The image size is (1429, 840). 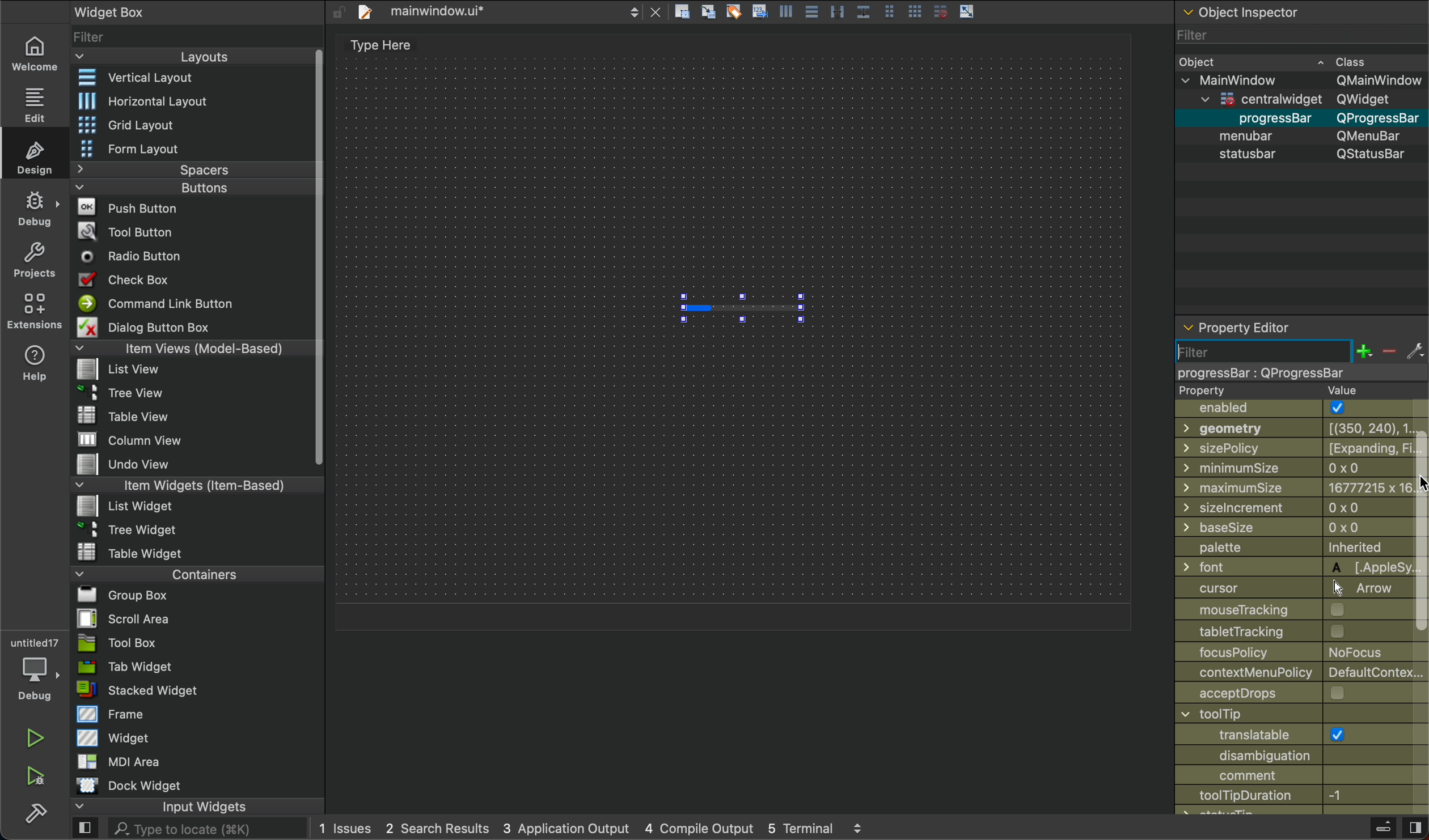 What do you see at coordinates (824, 14) in the screenshot?
I see `layout actions buttons` at bounding box center [824, 14].